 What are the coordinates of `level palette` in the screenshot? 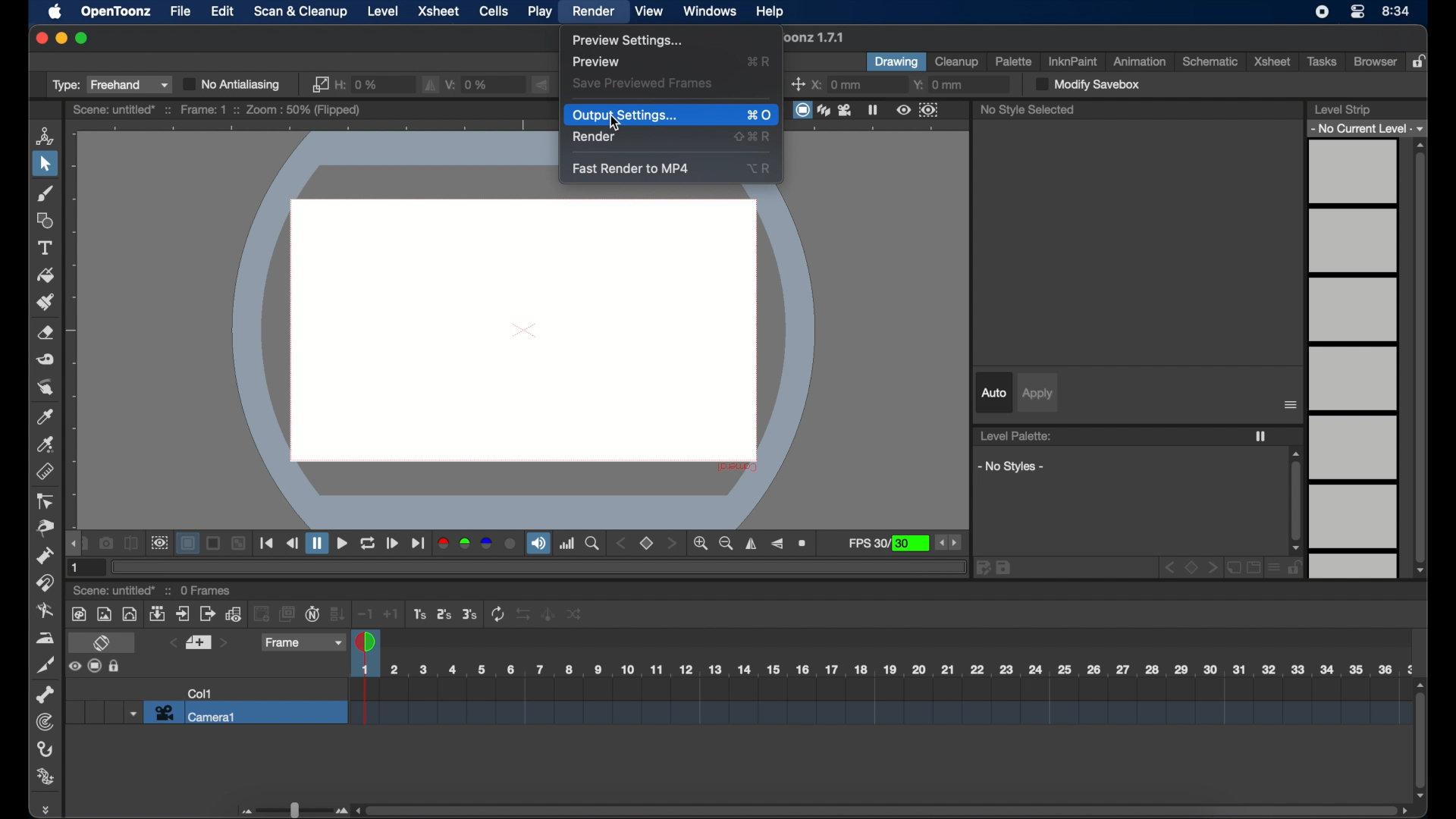 It's located at (1016, 436).